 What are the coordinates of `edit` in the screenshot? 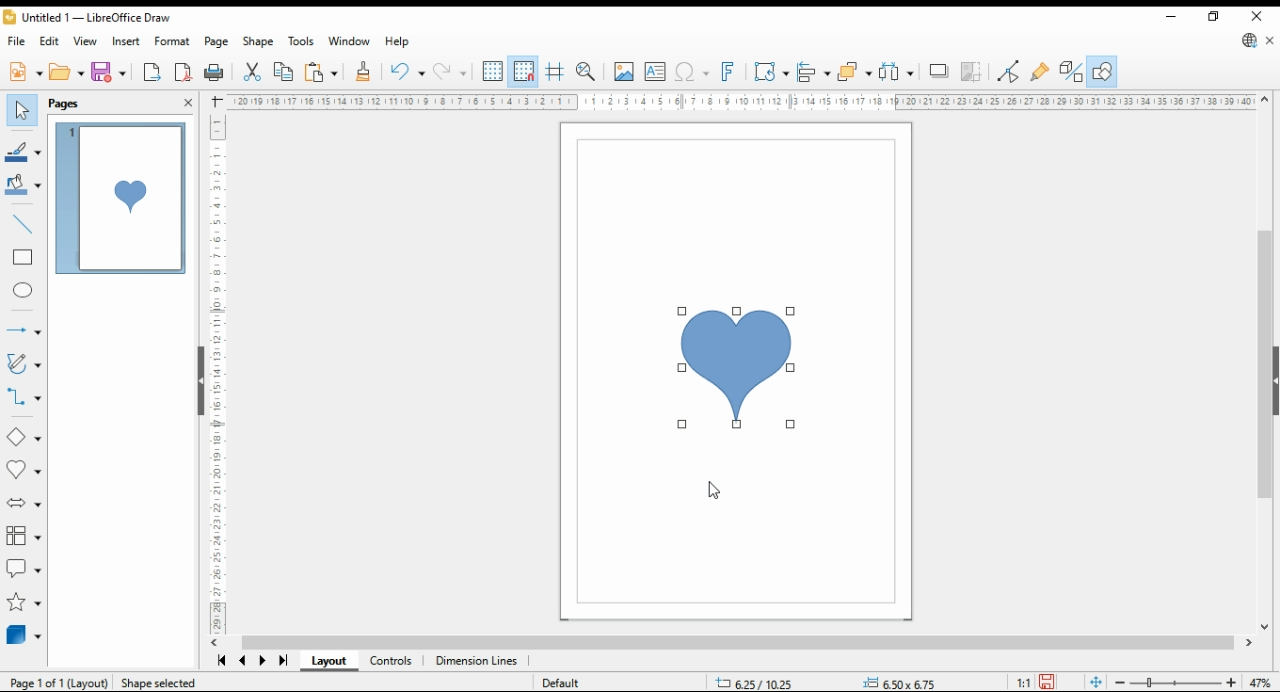 It's located at (49, 42).